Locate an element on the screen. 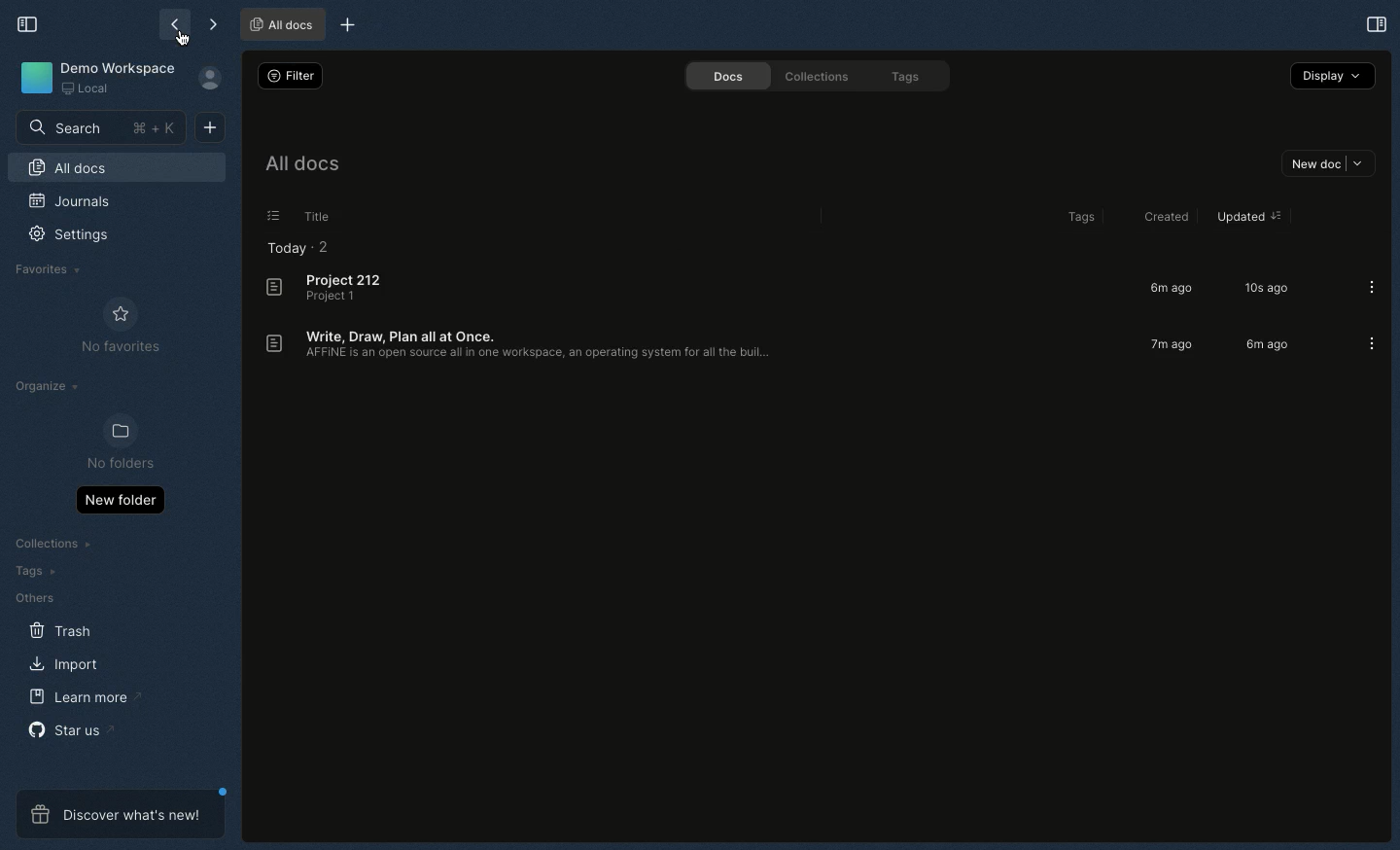 Image resolution: width=1400 pixels, height=850 pixels. Share is located at coordinates (1342, 75).